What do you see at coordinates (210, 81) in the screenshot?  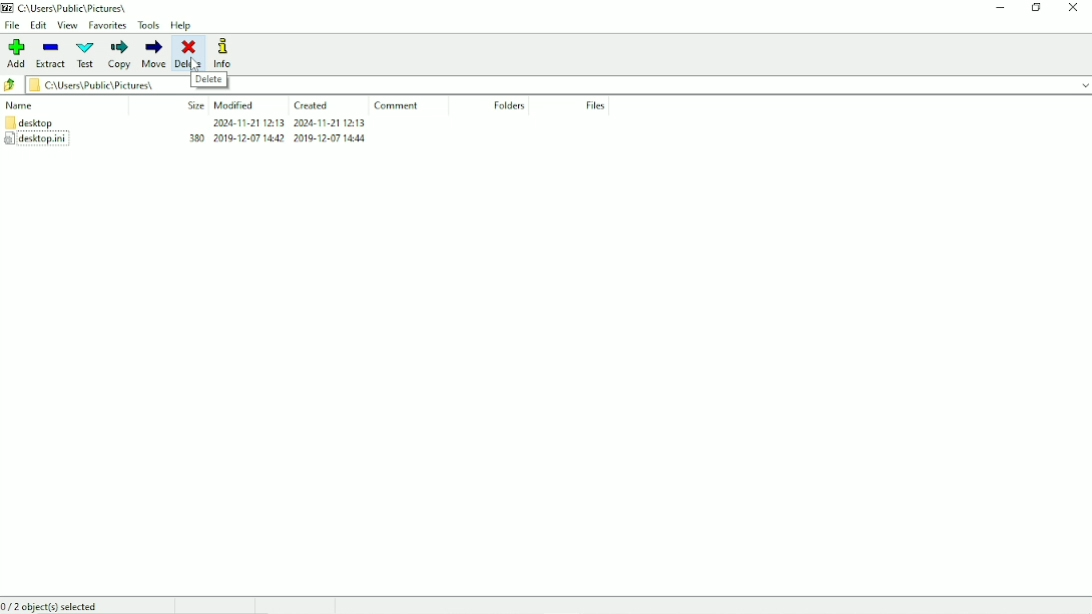 I see `Delete` at bounding box center [210, 81].